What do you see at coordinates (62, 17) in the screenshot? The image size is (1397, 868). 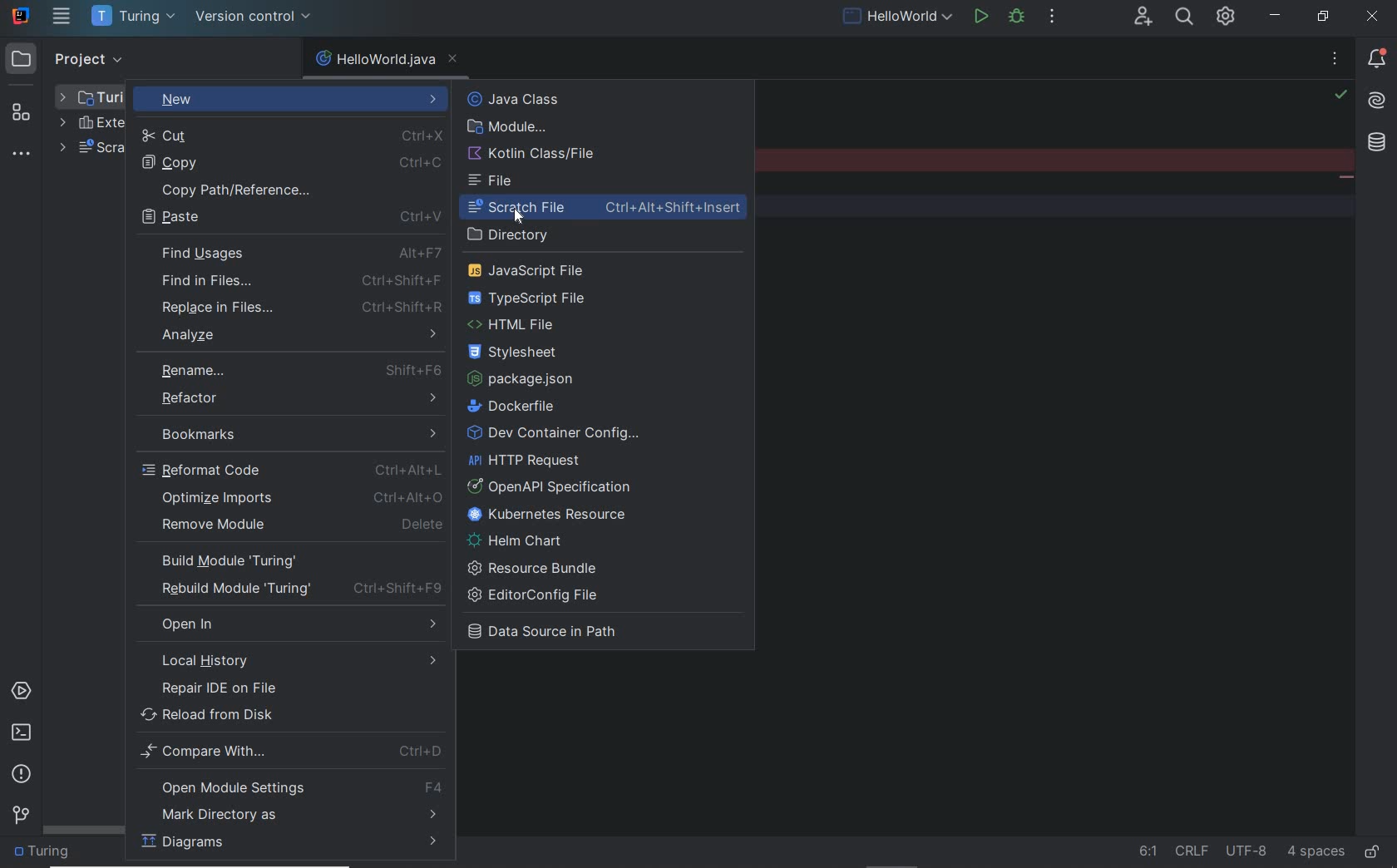 I see `main menu` at bounding box center [62, 17].